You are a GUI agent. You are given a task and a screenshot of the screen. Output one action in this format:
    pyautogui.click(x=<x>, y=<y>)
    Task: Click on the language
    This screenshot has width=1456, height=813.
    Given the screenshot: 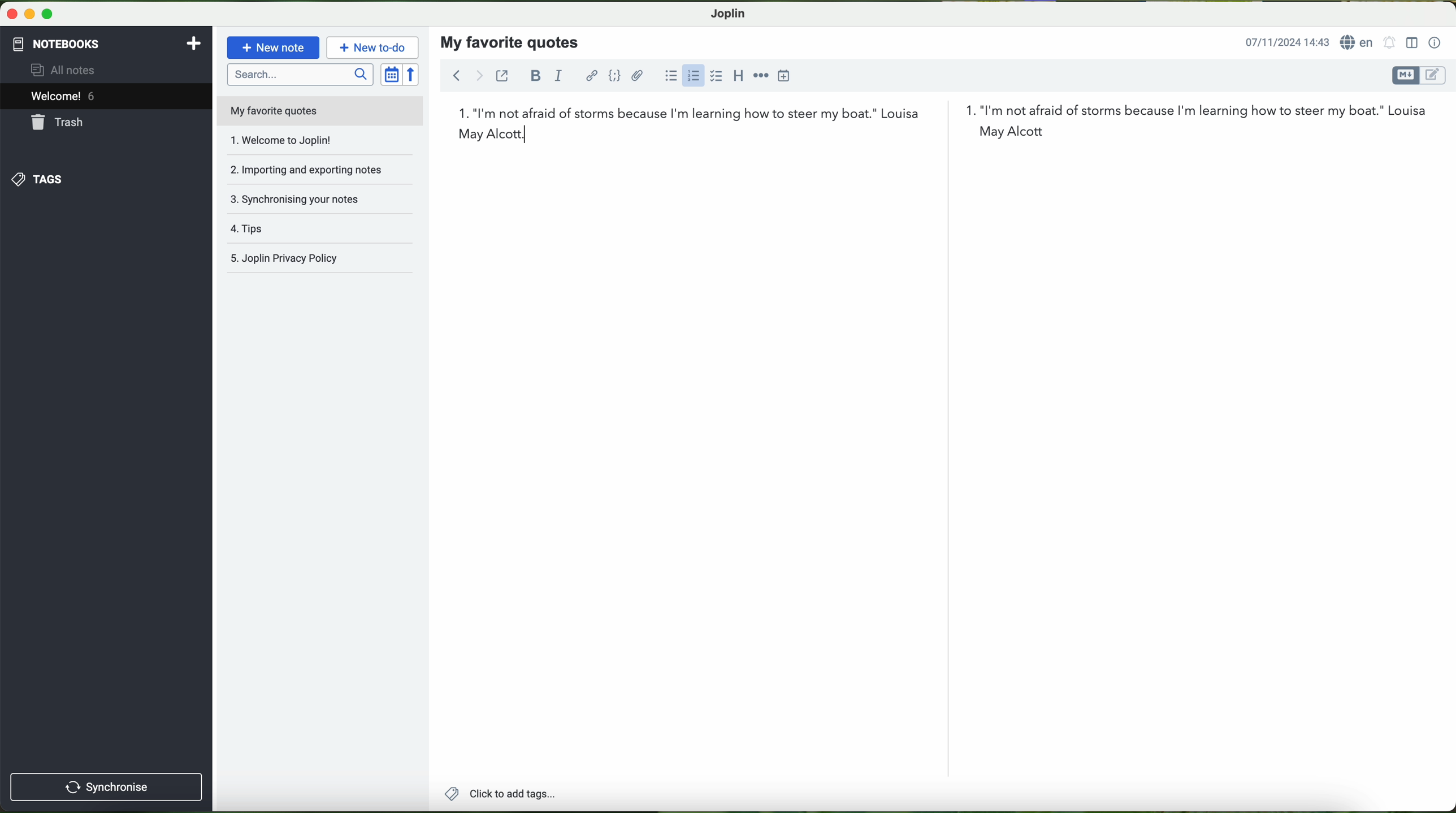 What is the action you would take?
    pyautogui.click(x=1359, y=42)
    